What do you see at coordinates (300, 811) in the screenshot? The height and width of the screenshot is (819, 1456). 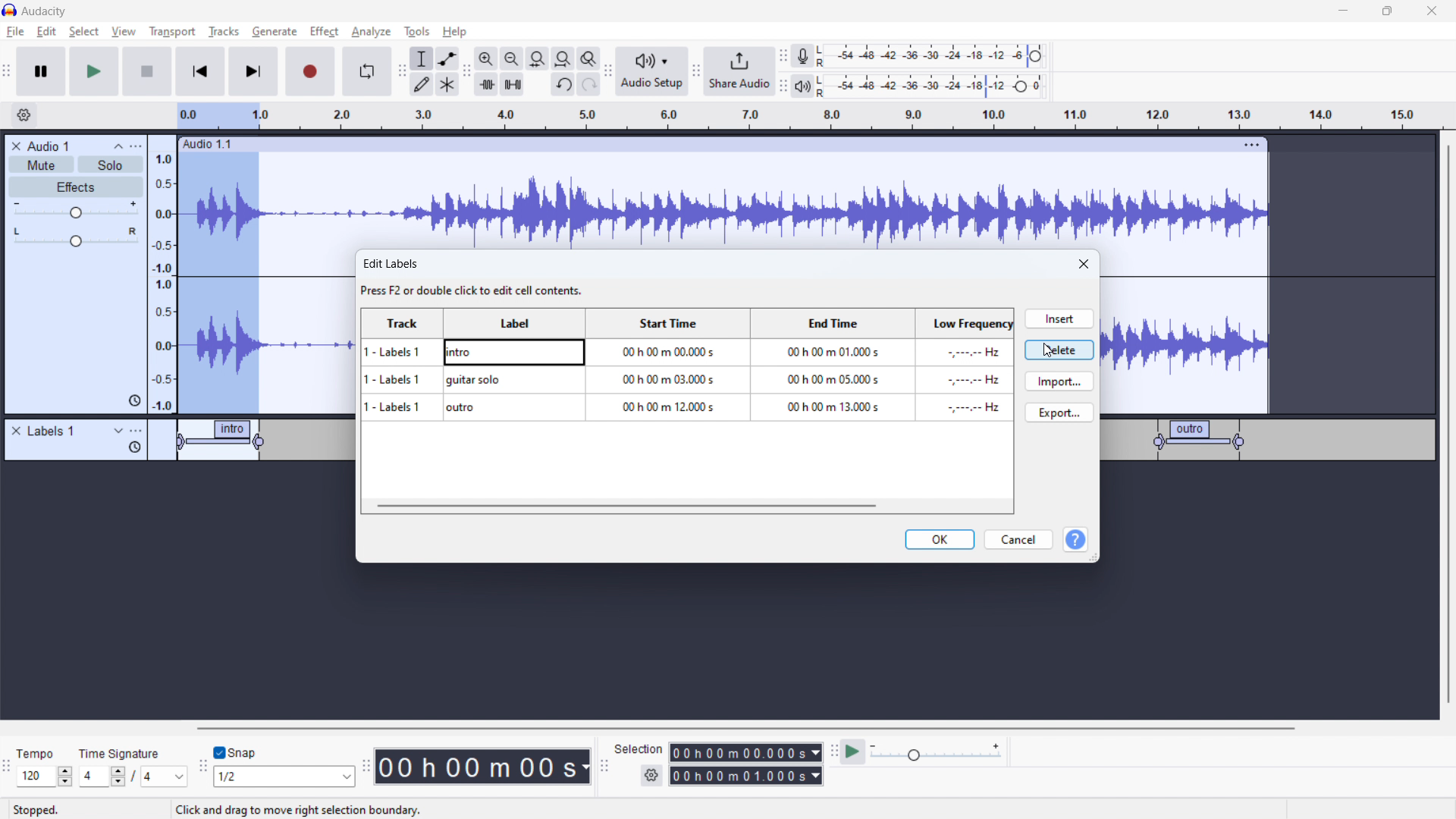 I see `Click and drag to move right selection boundary.` at bounding box center [300, 811].